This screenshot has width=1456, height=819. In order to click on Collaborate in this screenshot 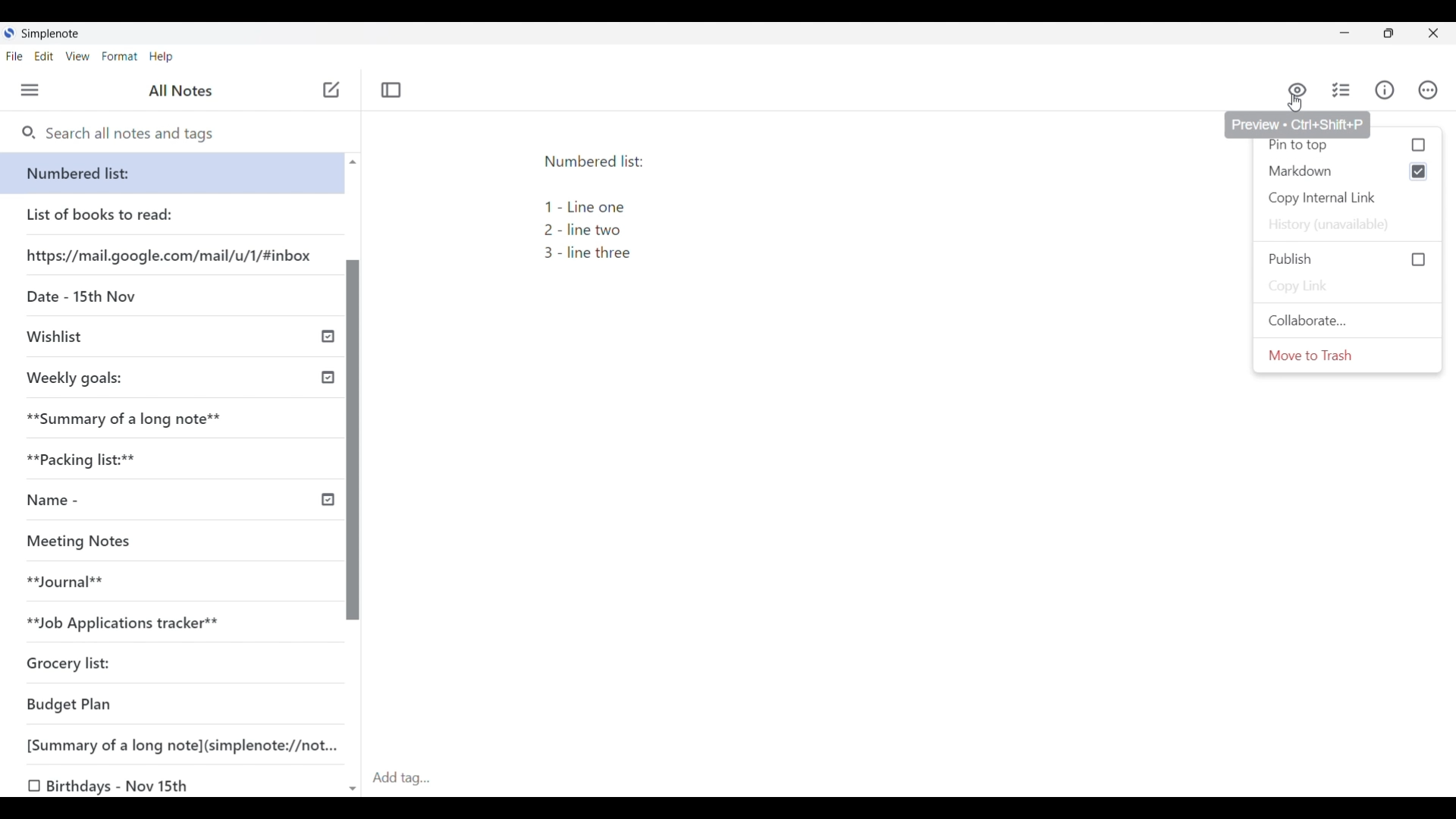, I will do `click(1348, 320)`.